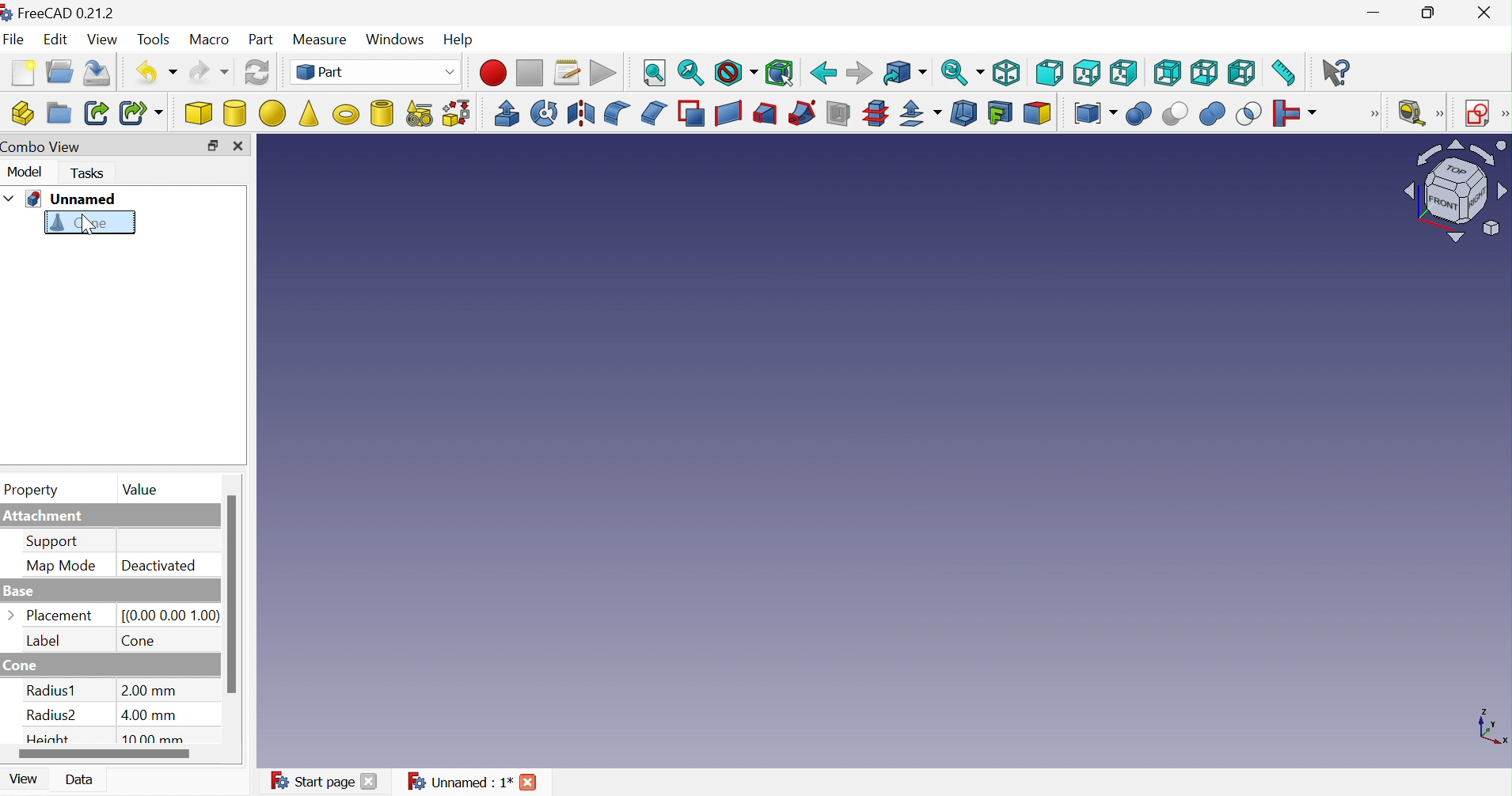 The width and height of the screenshot is (1512, 796). I want to click on Cut, so click(1174, 115).